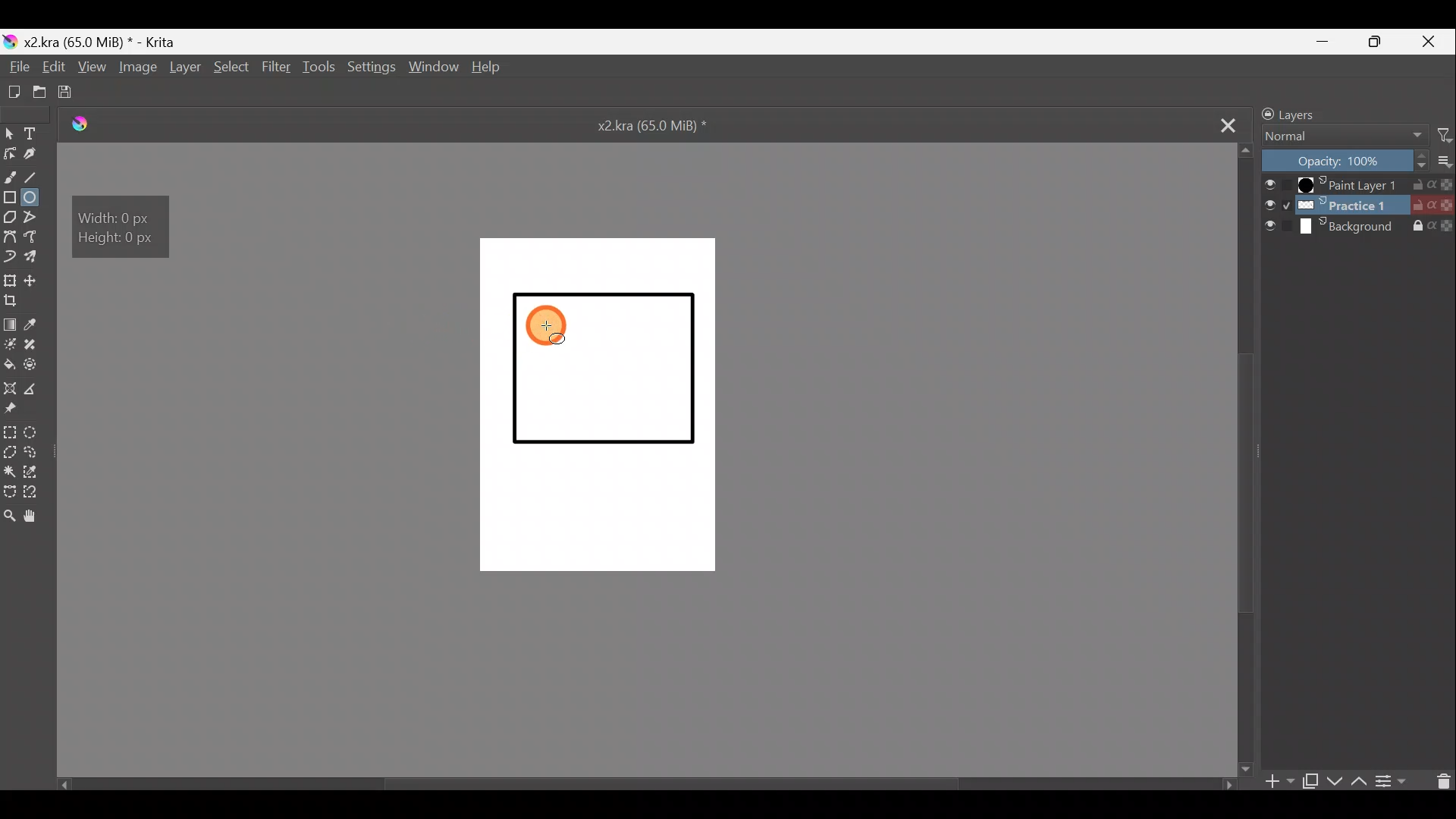  Describe the element at coordinates (9, 216) in the screenshot. I see `Polygon tool` at that location.